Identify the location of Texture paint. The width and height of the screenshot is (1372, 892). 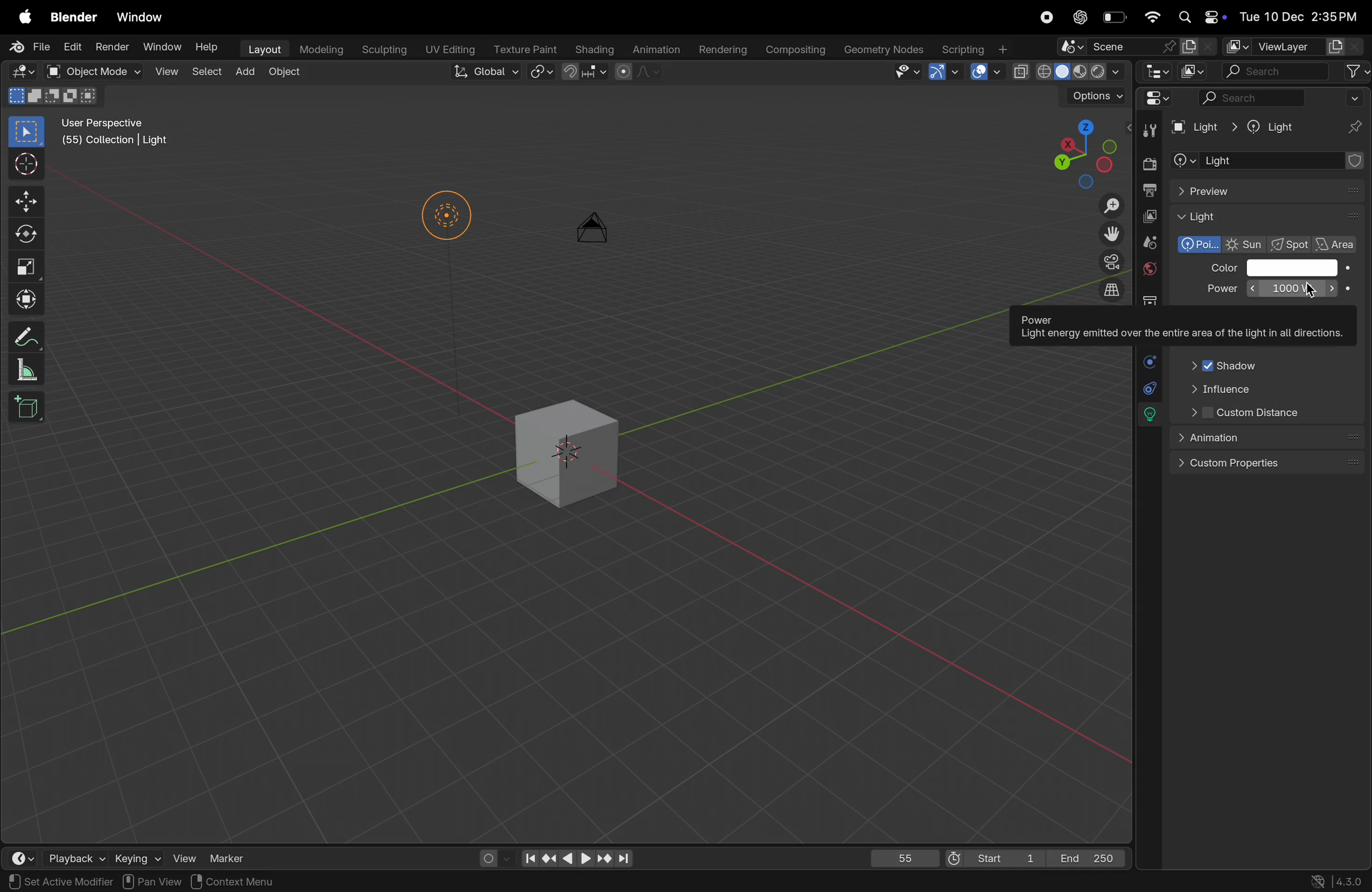
(525, 48).